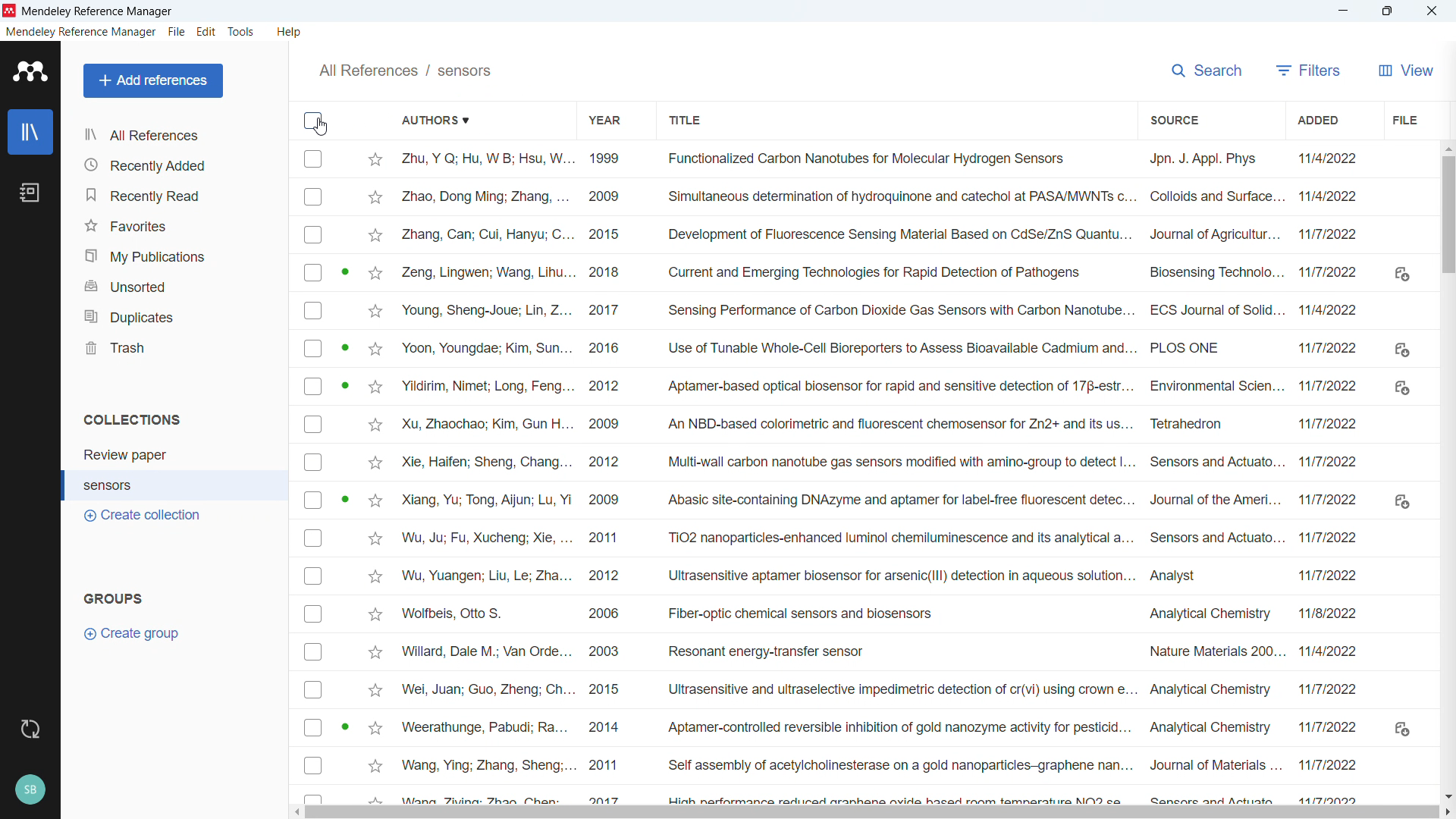  Describe the element at coordinates (241, 31) in the screenshot. I see `tools` at that location.